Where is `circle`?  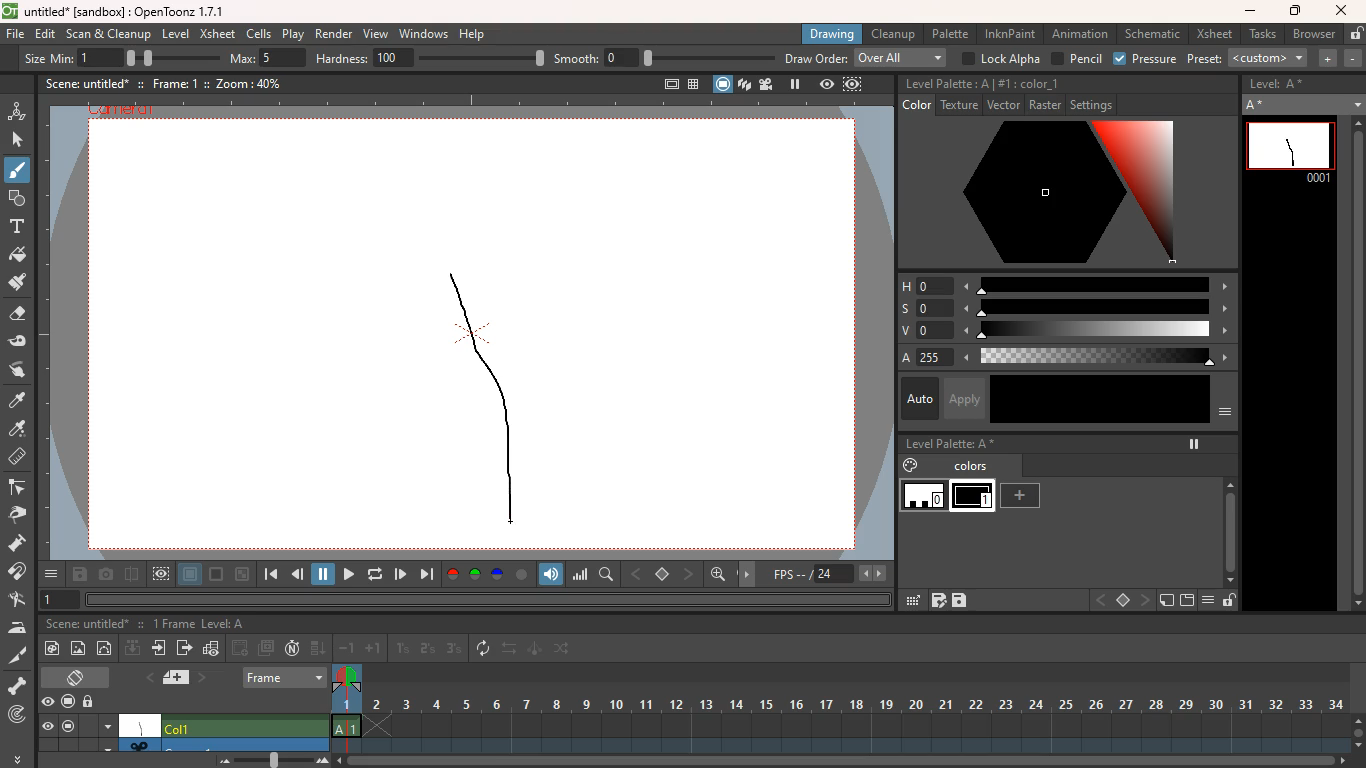
circle is located at coordinates (522, 574).